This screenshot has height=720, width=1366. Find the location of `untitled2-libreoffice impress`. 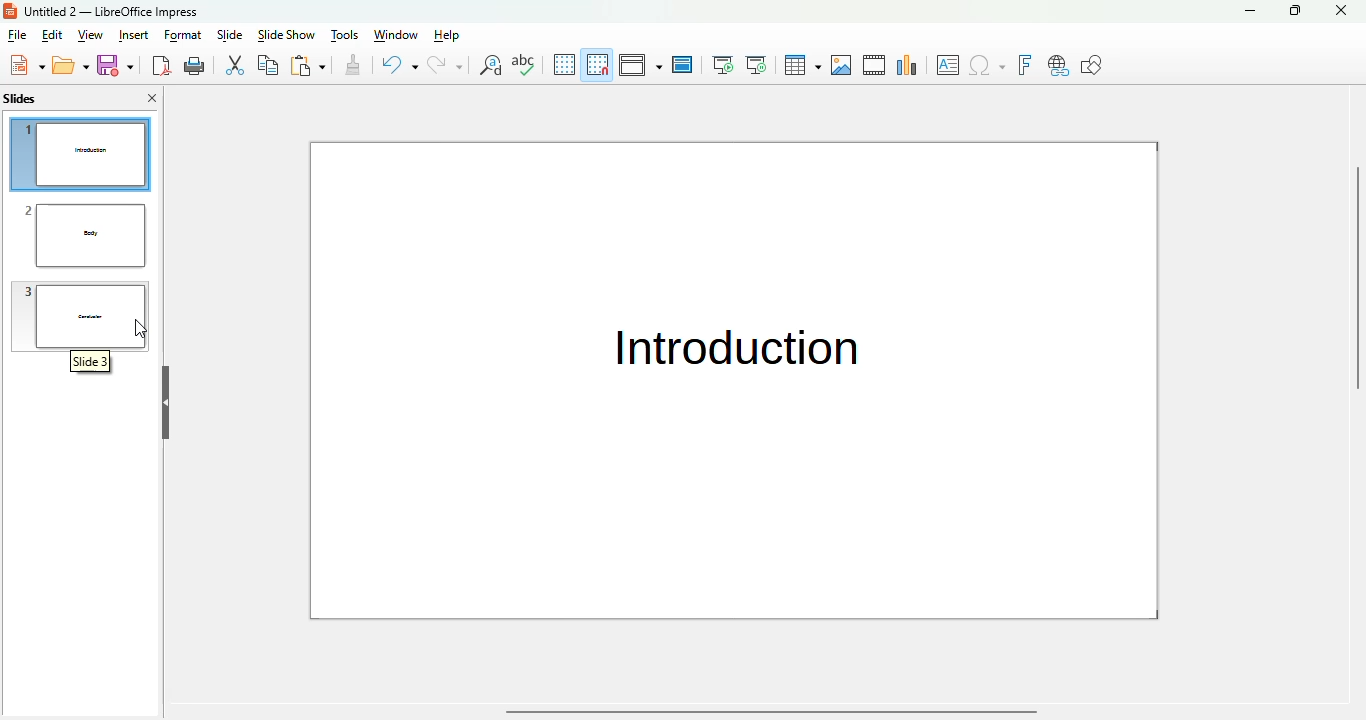

untitled2-libreoffice impress is located at coordinates (111, 11).